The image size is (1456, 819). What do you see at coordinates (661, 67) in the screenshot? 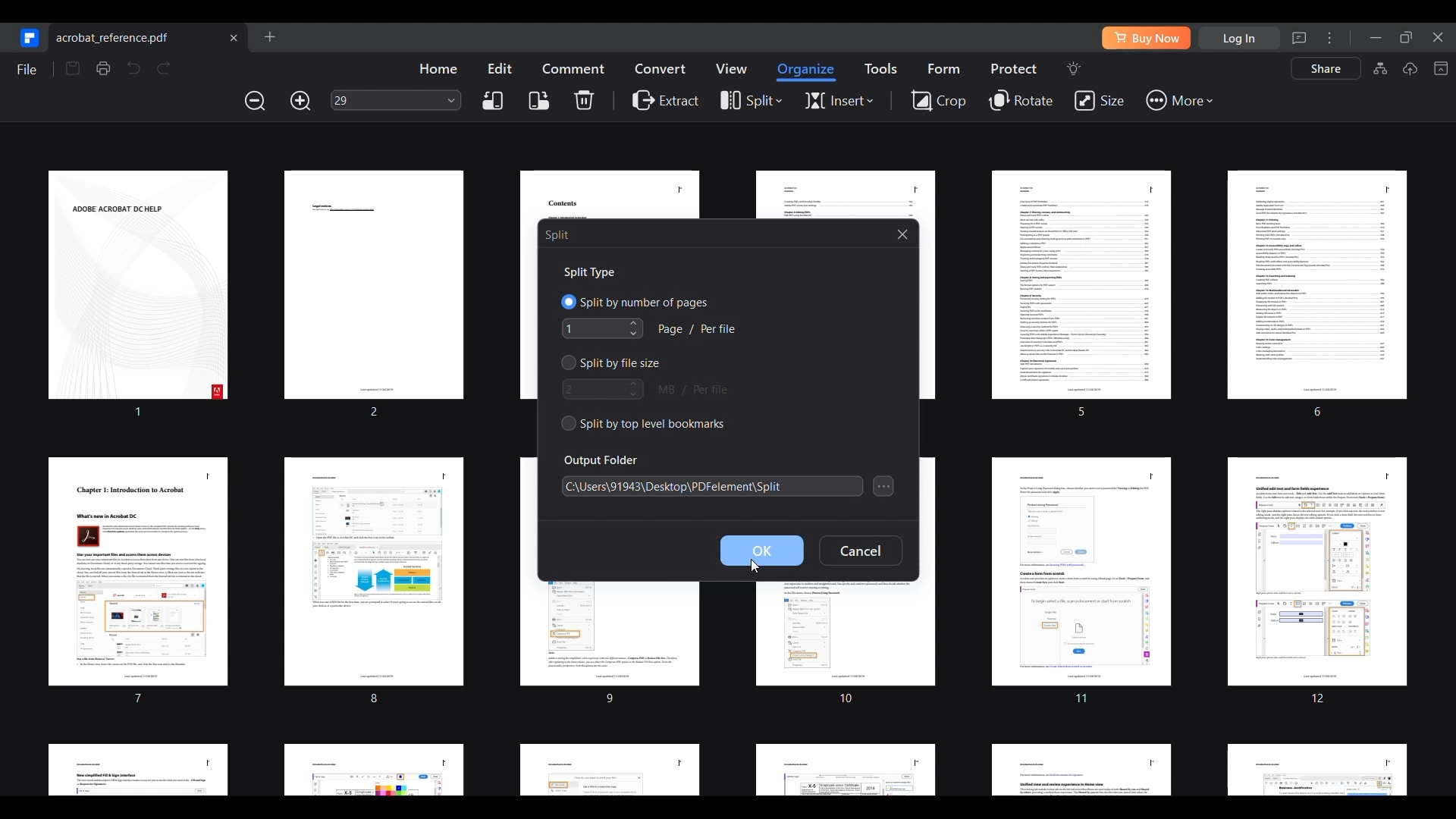
I see `Convert` at bounding box center [661, 67].